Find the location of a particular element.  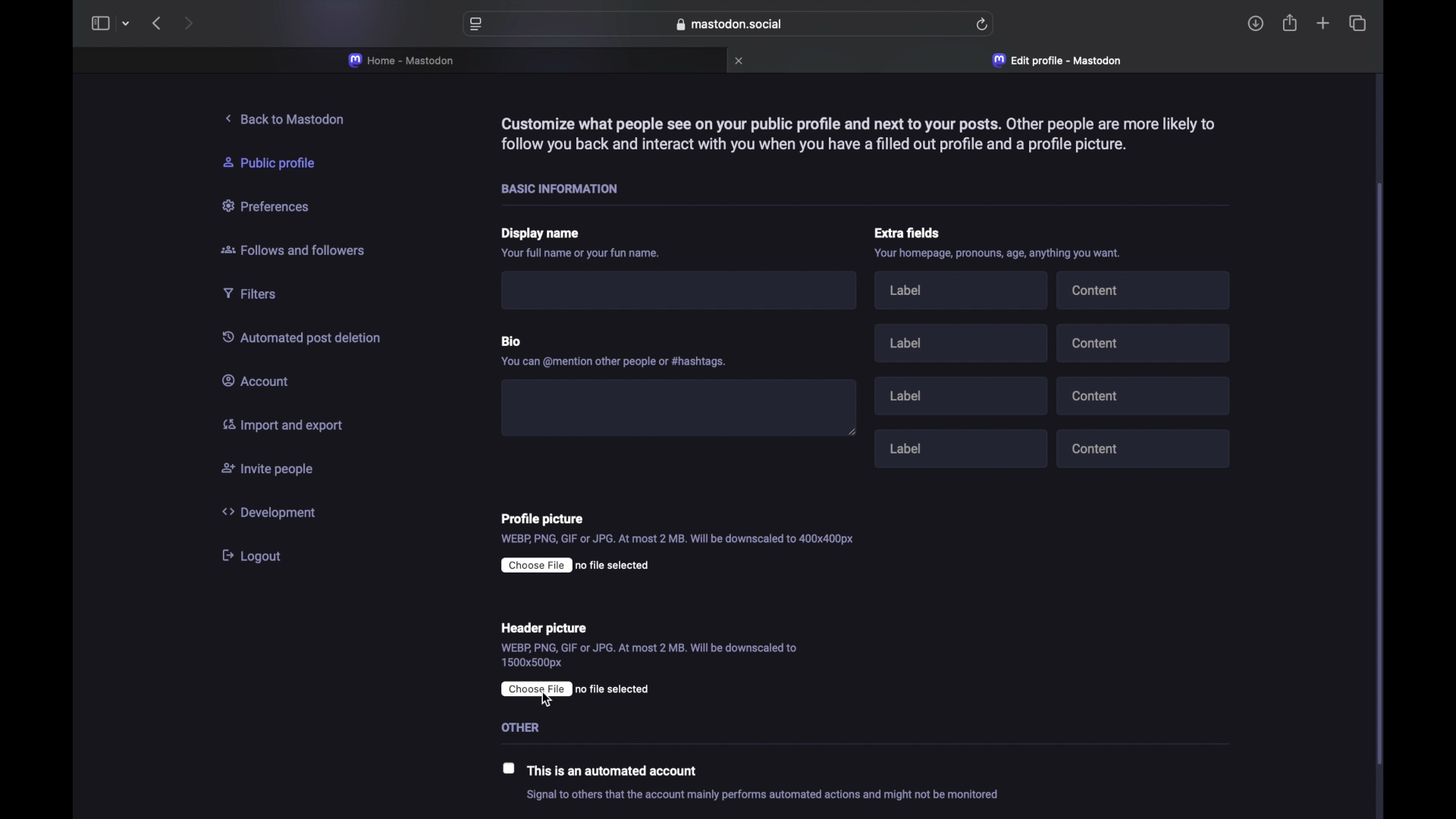

basic information is located at coordinates (566, 189).